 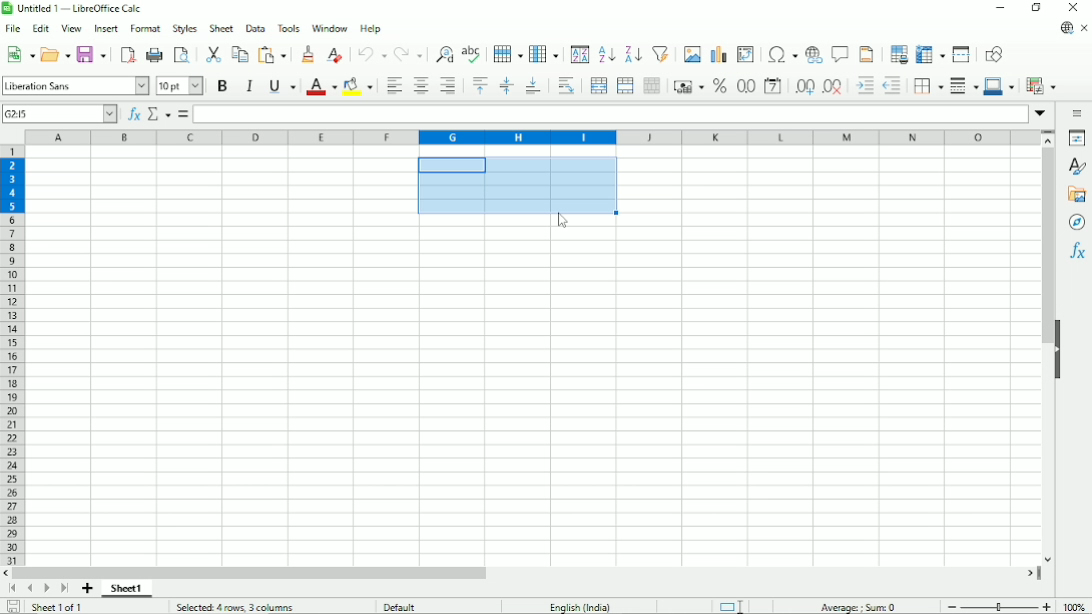 What do you see at coordinates (256, 27) in the screenshot?
I see `Data` at bounding box center [256, 27].